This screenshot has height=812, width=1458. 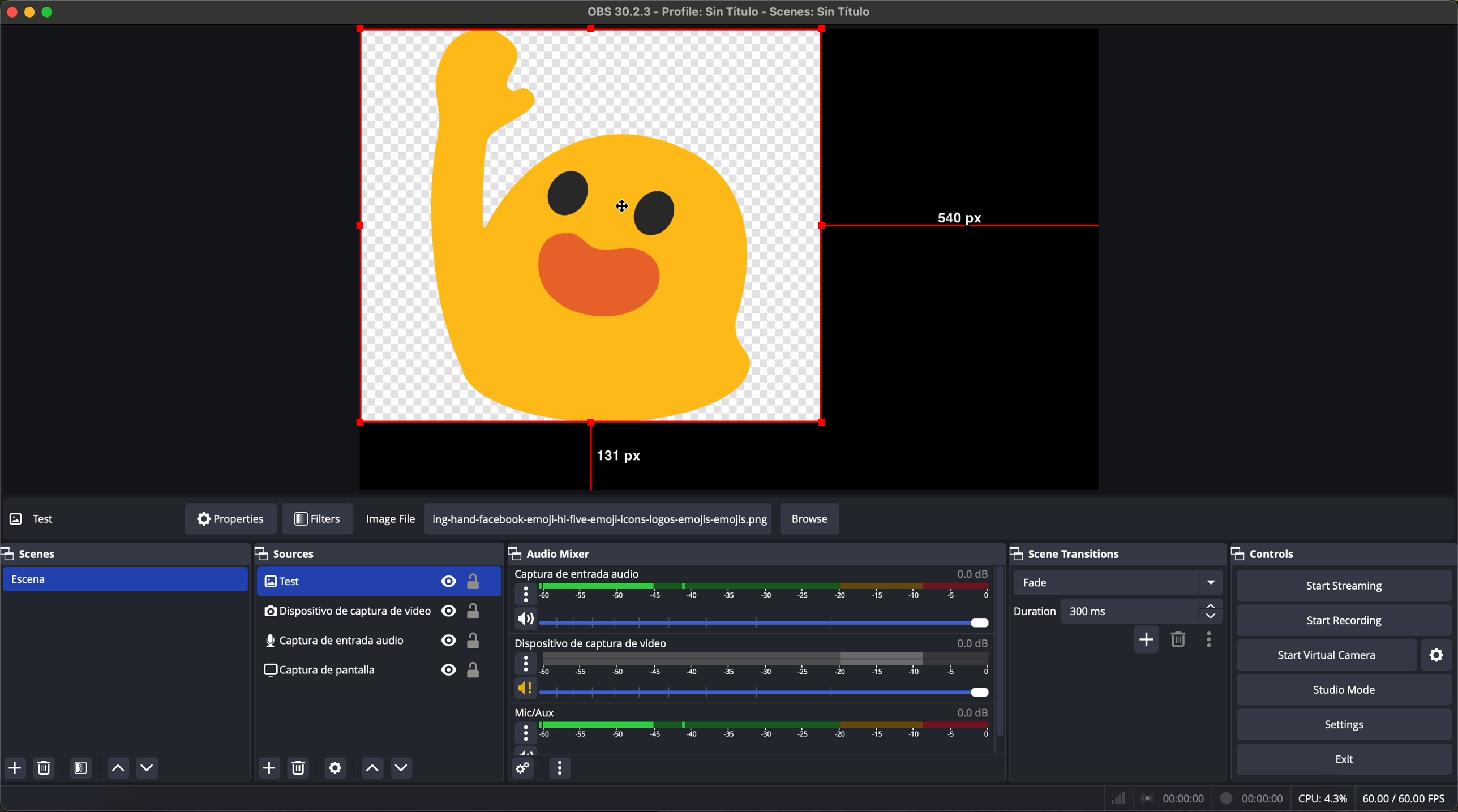 I want to click on click on image, so click(x=591, y=227).